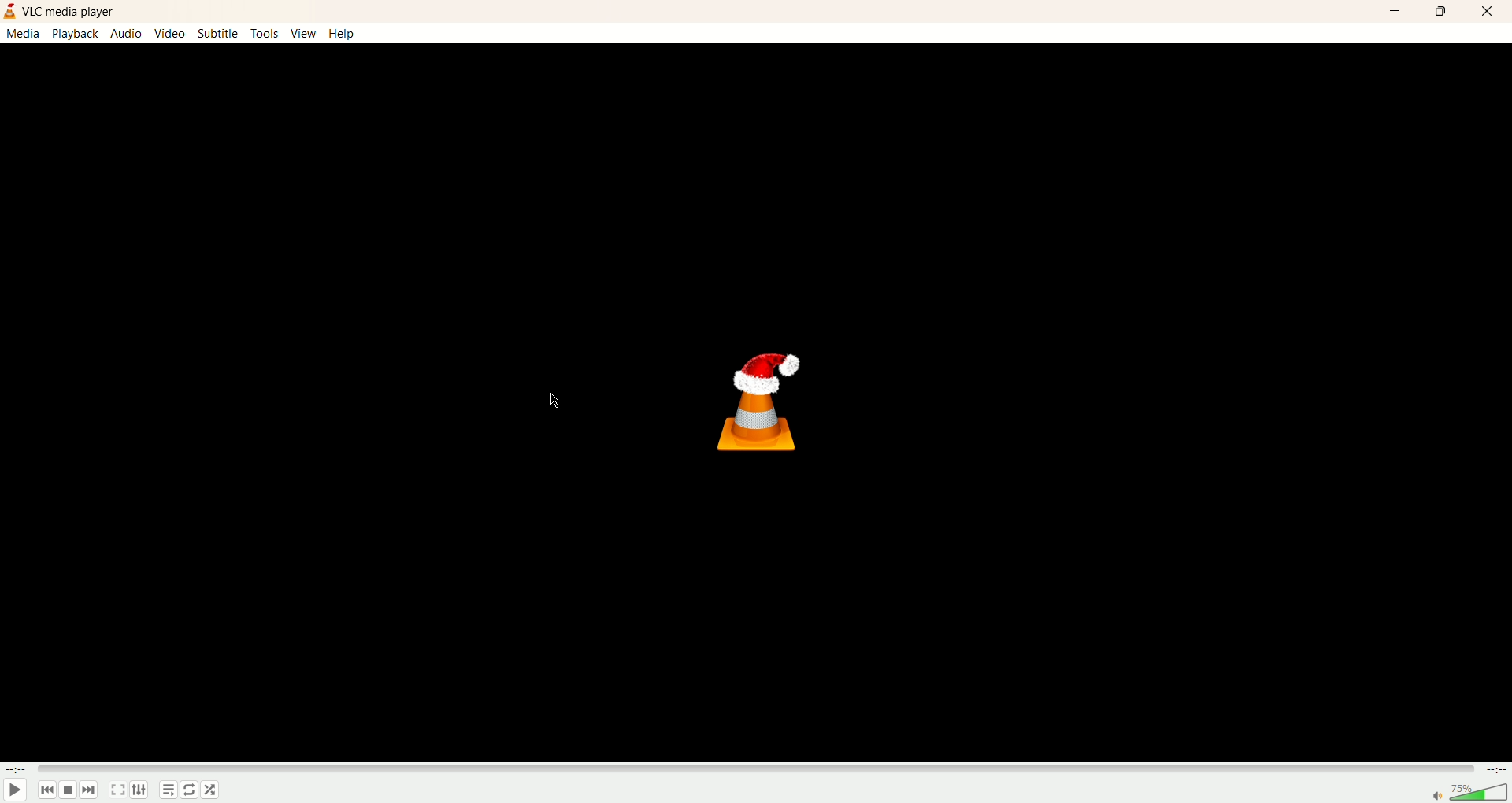 The image size is (1512, 803). What do you see at coordinates (15, 790) in the screenshot?
I see `play/pause` at bounding box center [15, 790].